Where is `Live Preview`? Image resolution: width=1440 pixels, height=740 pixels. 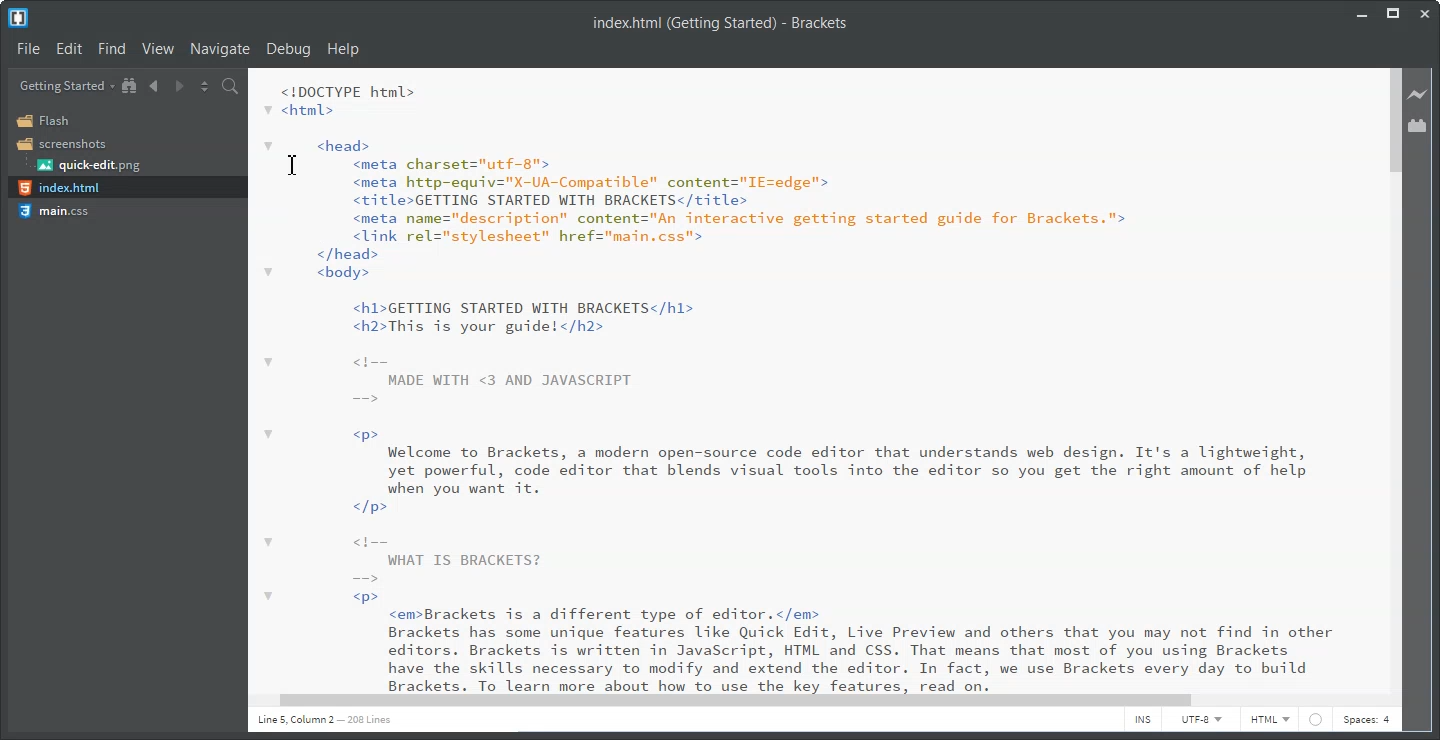 Live Preview is located at coordinates (1420, 94).